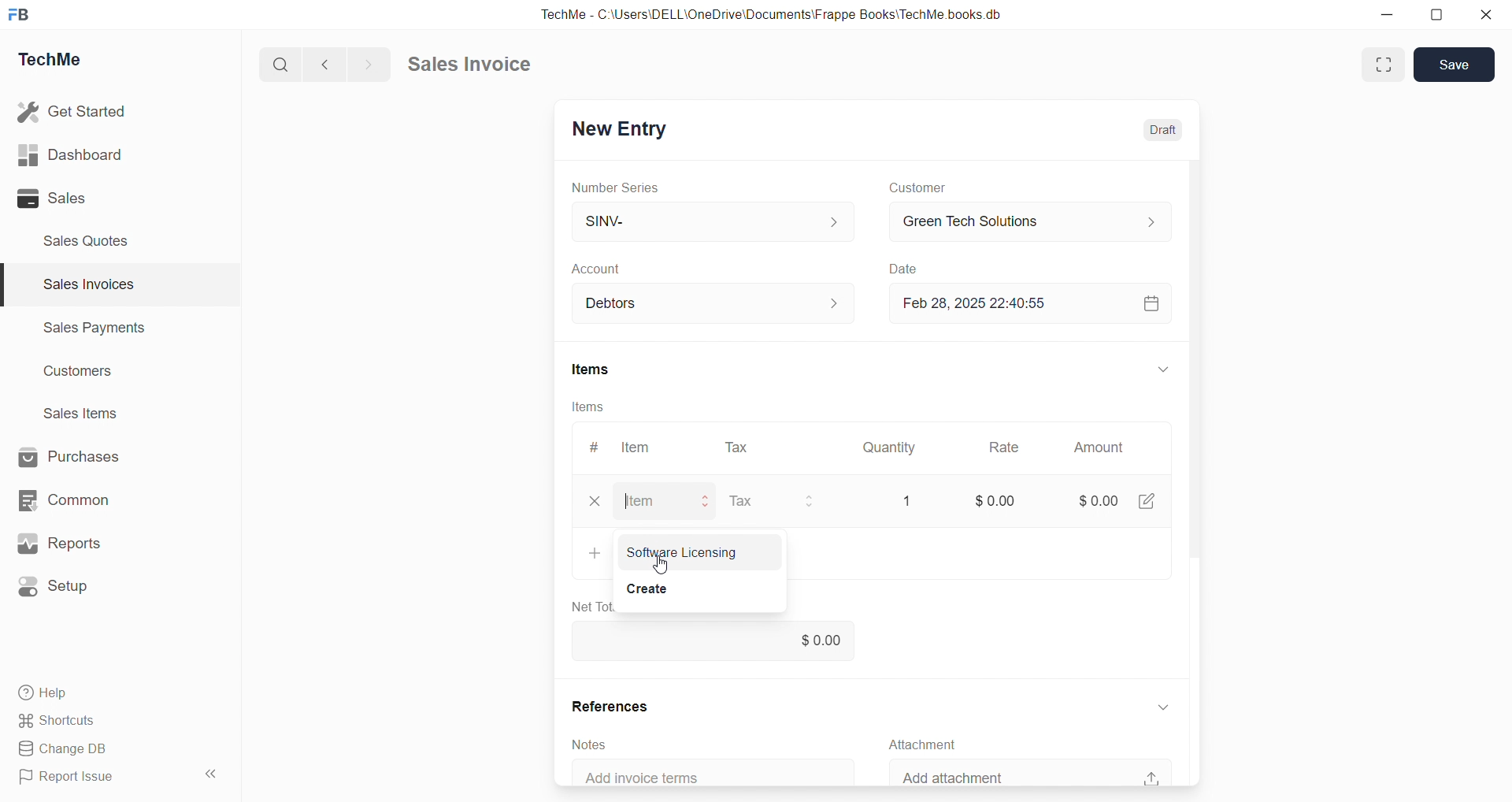 This screenshot has height=802, width=1512. Describe the element at coordinates (706, 502) in the screenshot. I see `buttons` at that location.